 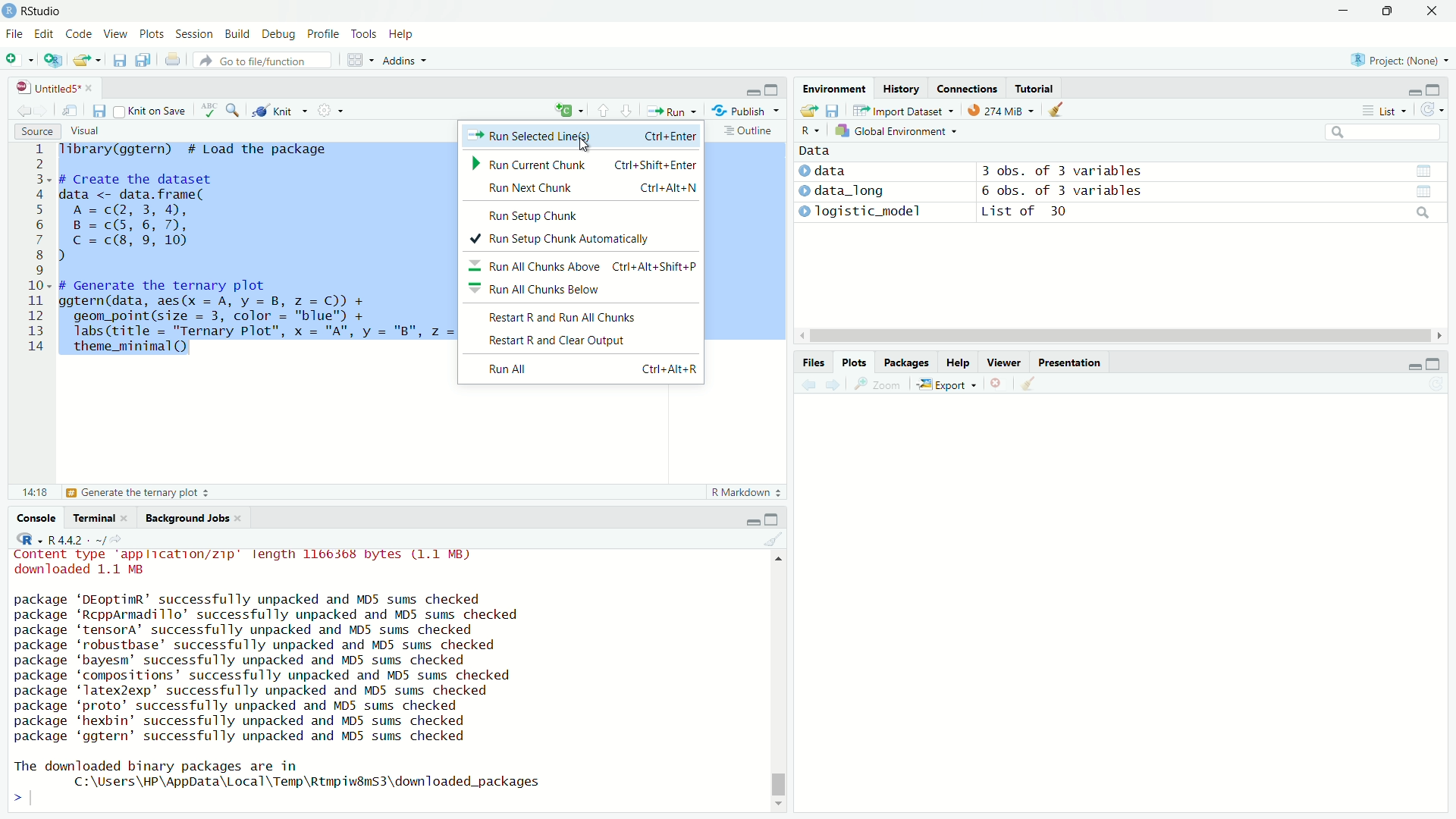 What do you see at coordinates (544, 290) in the screenshot?
I see `Run All Chunks Below` at bounding box center [544, 290].